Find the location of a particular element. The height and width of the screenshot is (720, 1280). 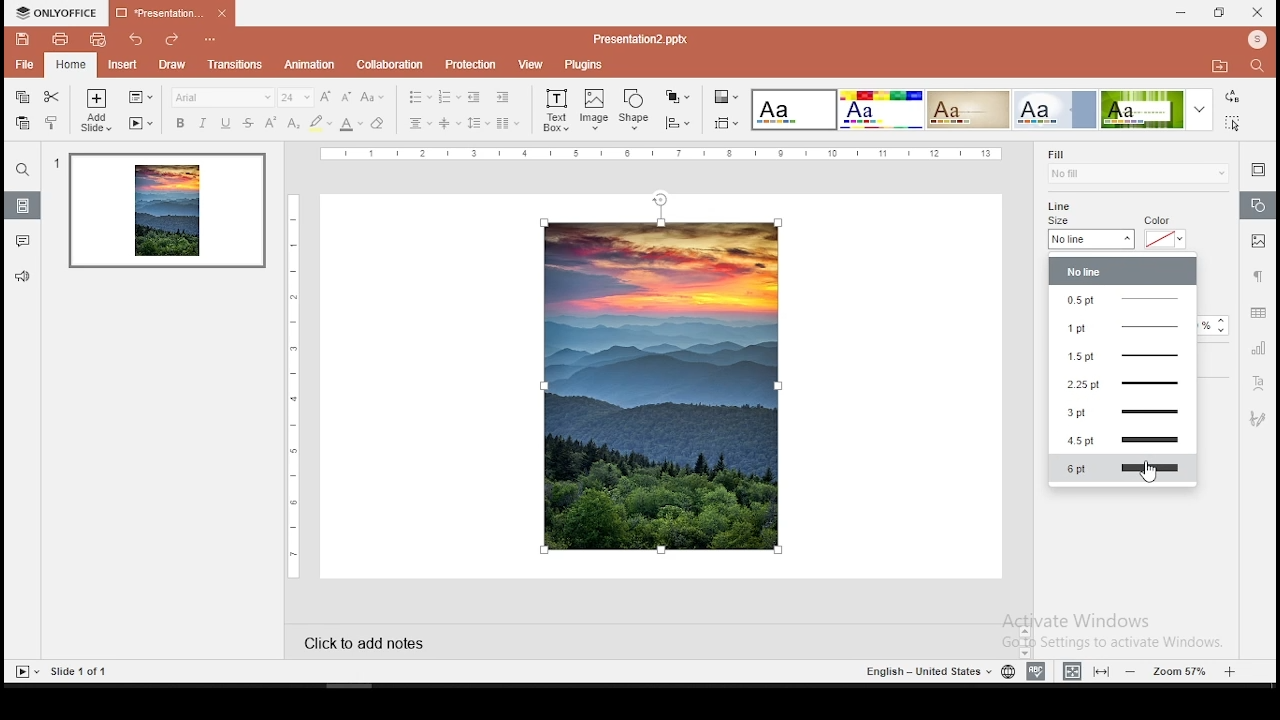

profile is located at coordinates (1255, 40).